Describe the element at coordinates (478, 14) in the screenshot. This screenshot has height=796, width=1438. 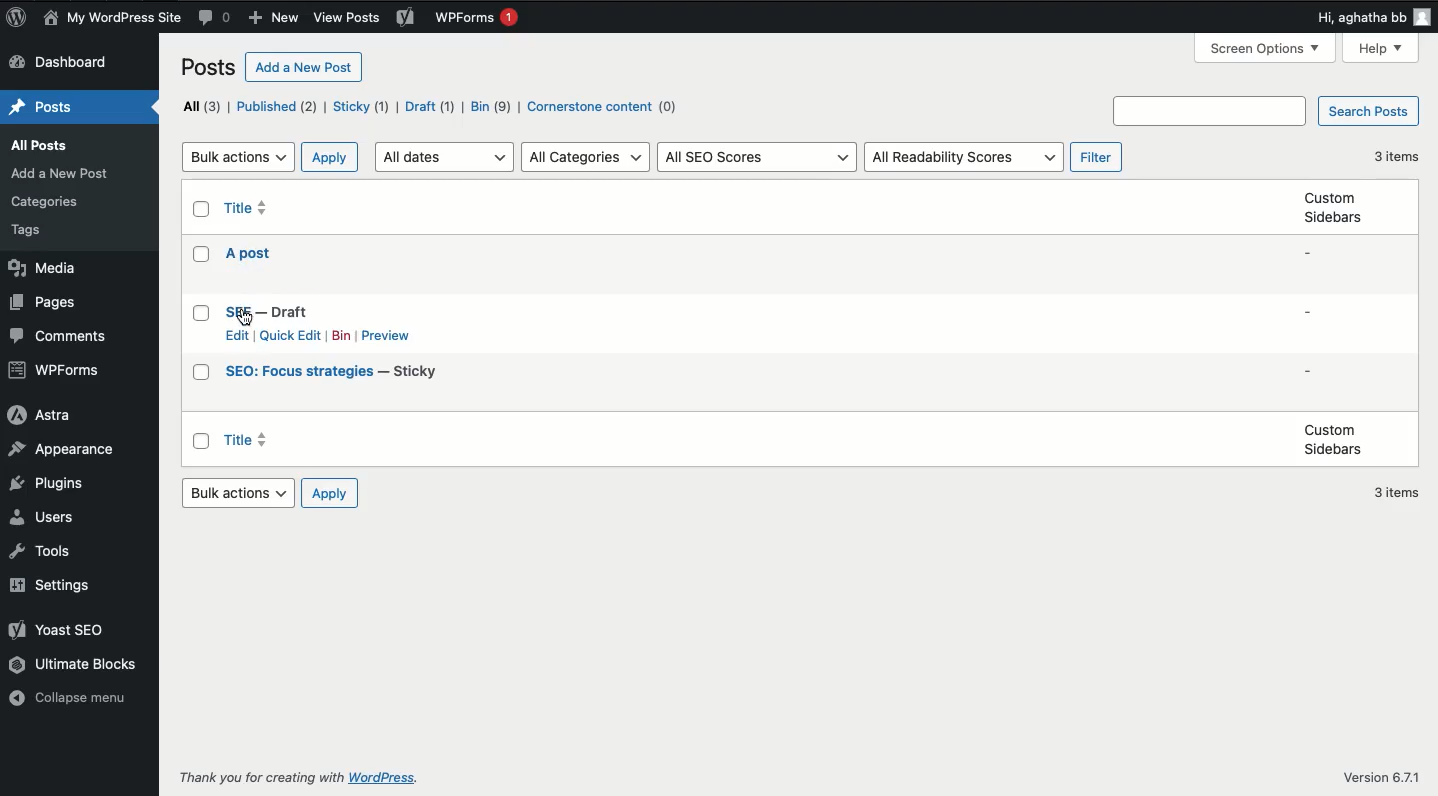
I see `WPForms` at that location.